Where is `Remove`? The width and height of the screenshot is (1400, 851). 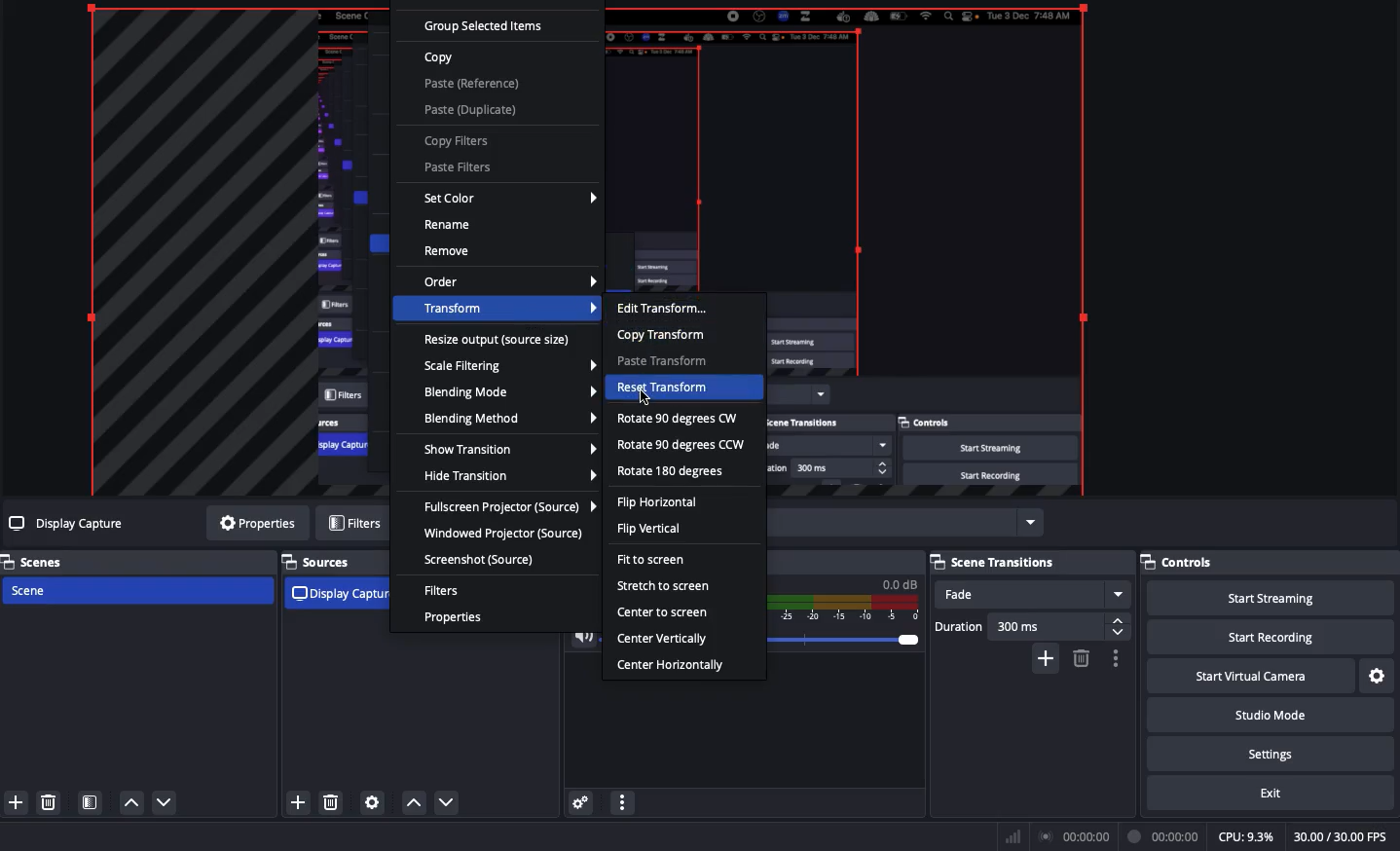
Remove is located at coordinates (455, 251).